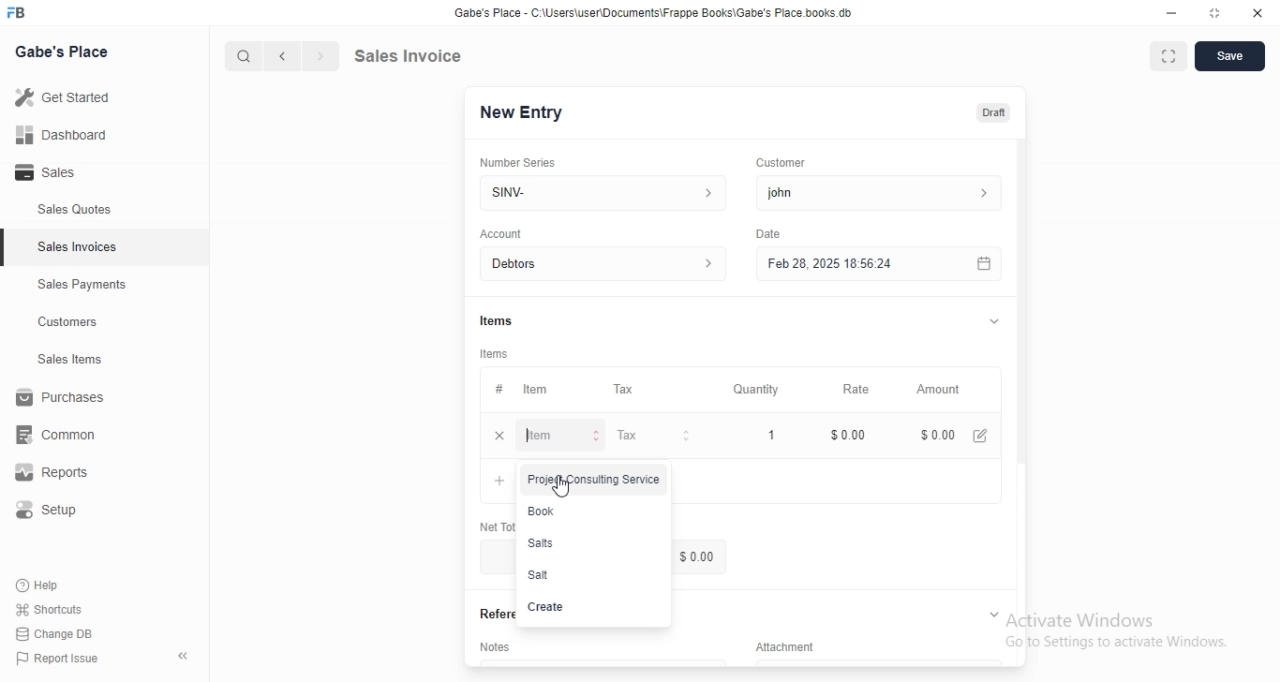 This screenshot has height=682, width=1280. Describe the element at coordinates (1163, 15) in the screenshot. I see `minimize` at that location.